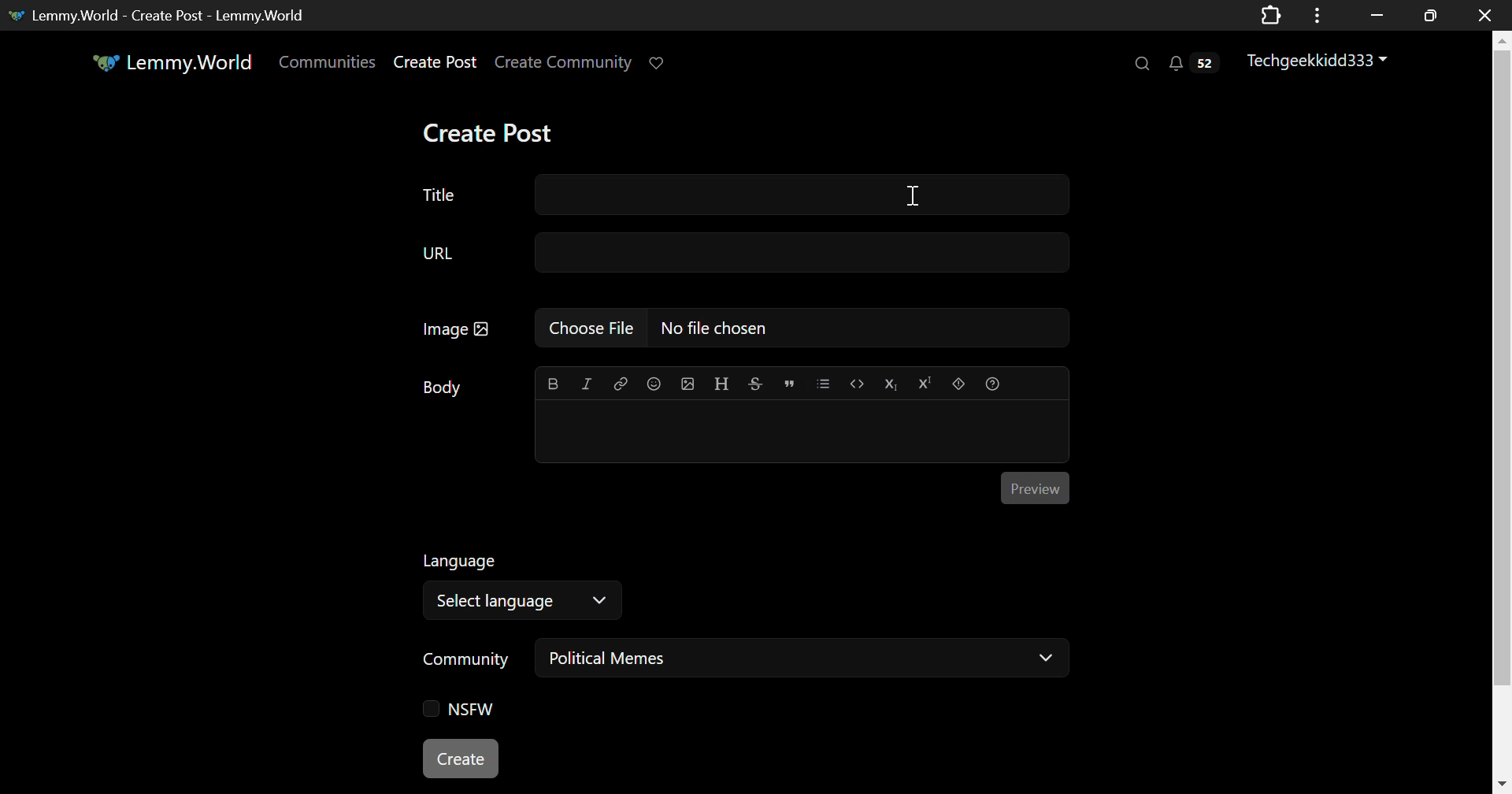 The width and height of the screenshot is (1512, 794). What do you see at coordinates (1143, 65) in the screenshot?
I see `Search` at bounding box center [1143, 65].